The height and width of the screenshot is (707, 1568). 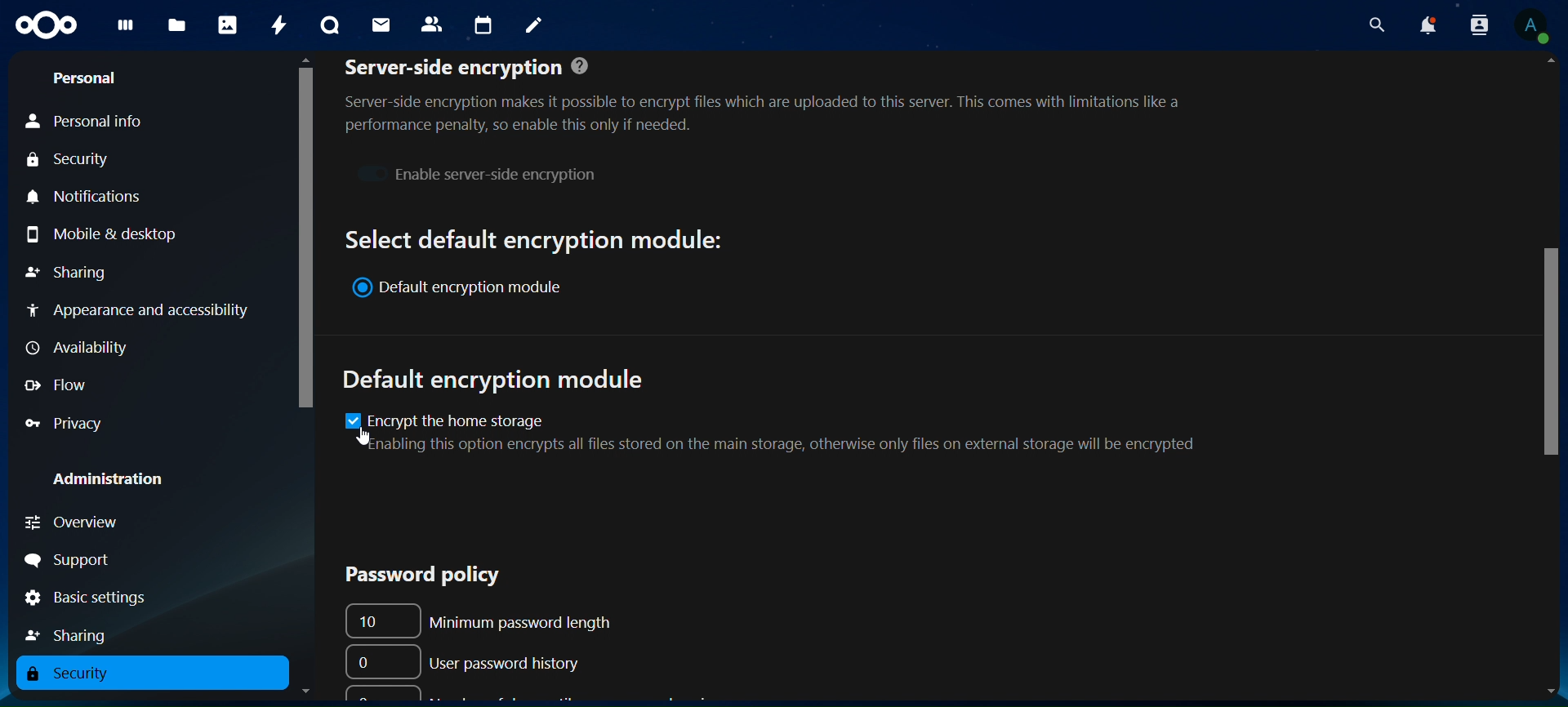 I want to click on security, so click(x=70, y=162).